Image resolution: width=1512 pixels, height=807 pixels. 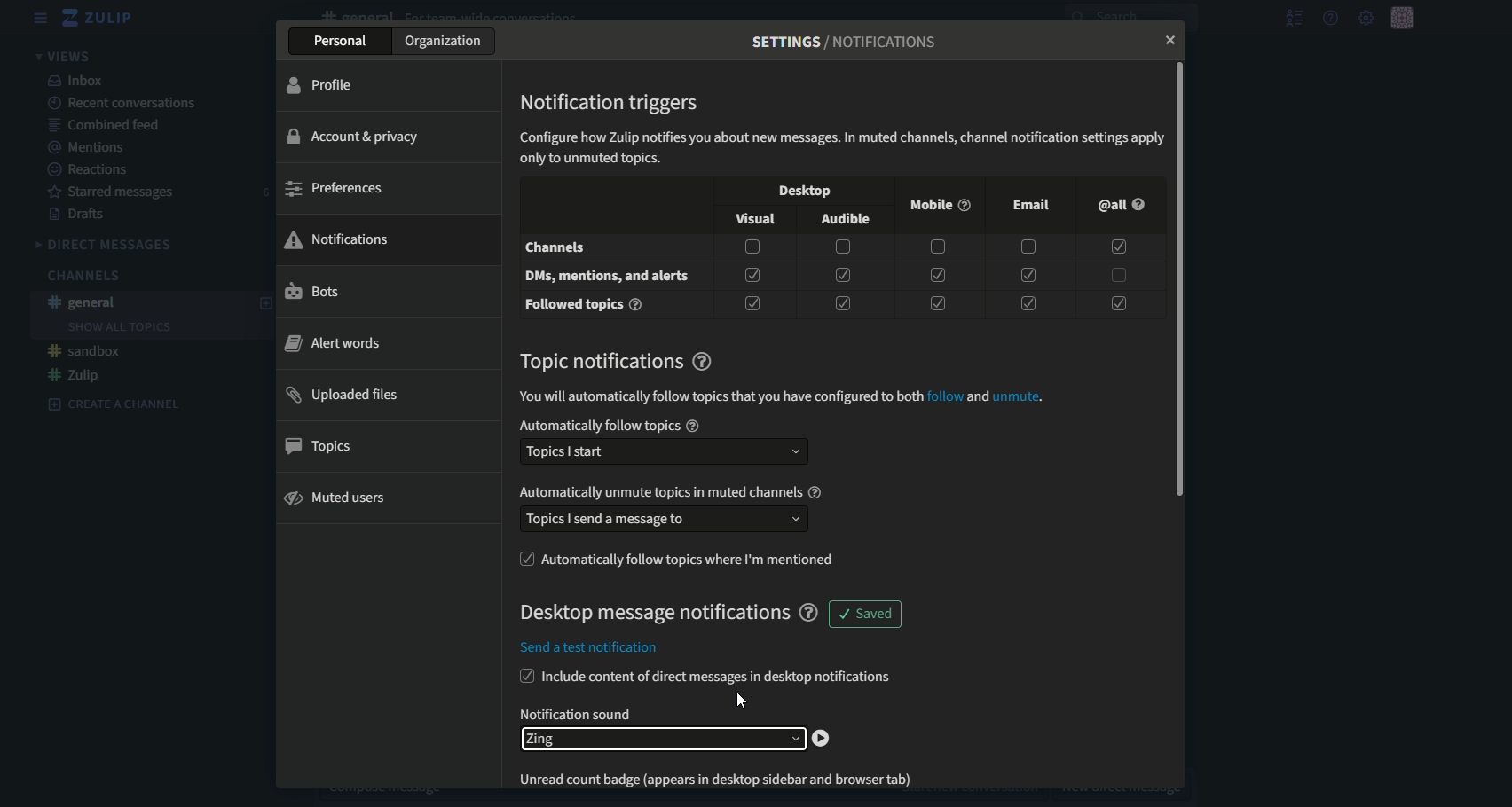 I want to click on text, so click(x=719, y=678).